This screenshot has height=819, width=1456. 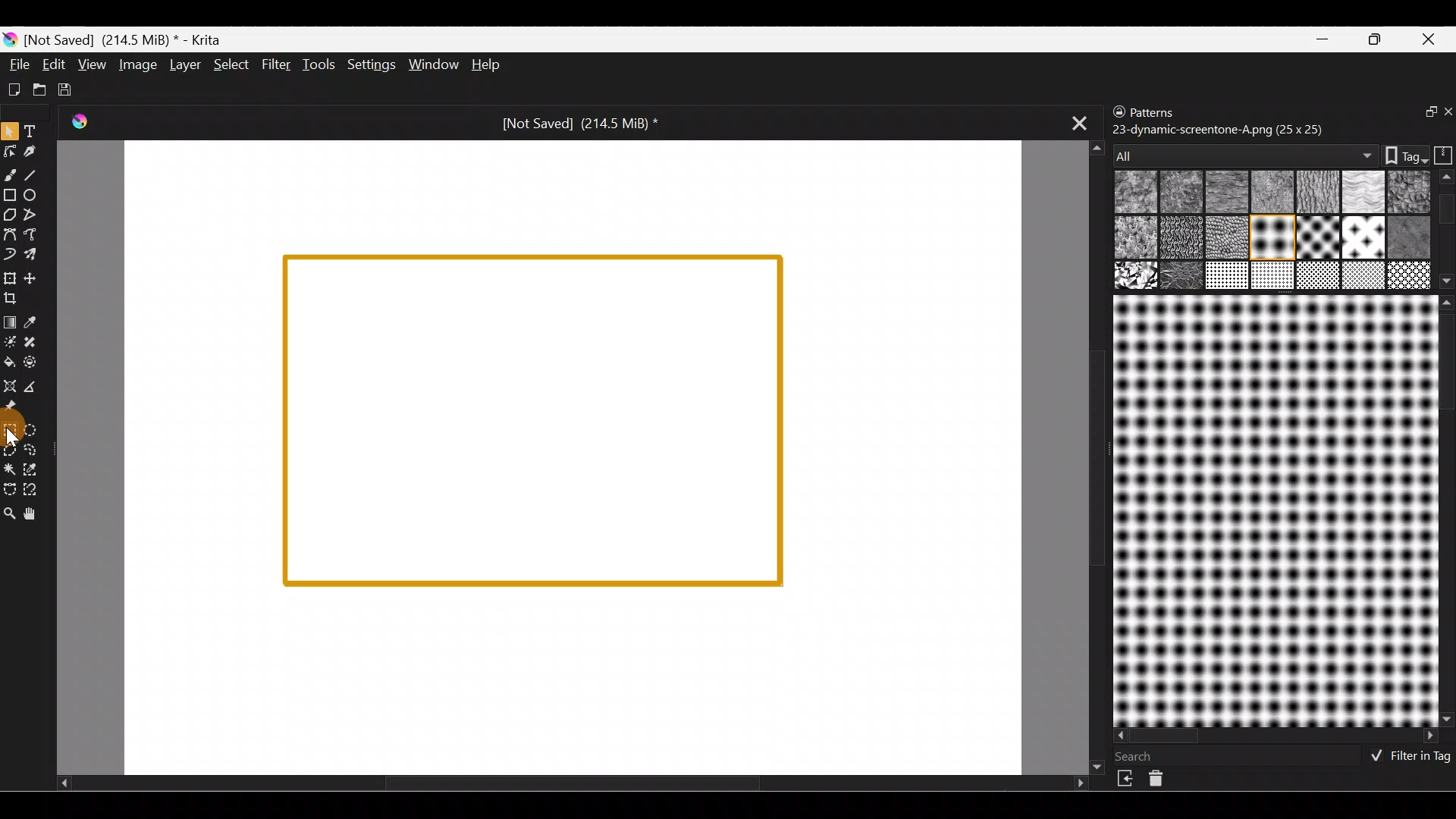 What do you see at coordinates (1114, 113) in the screenshot?
I see `Lock/unlock docker` at bounding box center [1114, 113].